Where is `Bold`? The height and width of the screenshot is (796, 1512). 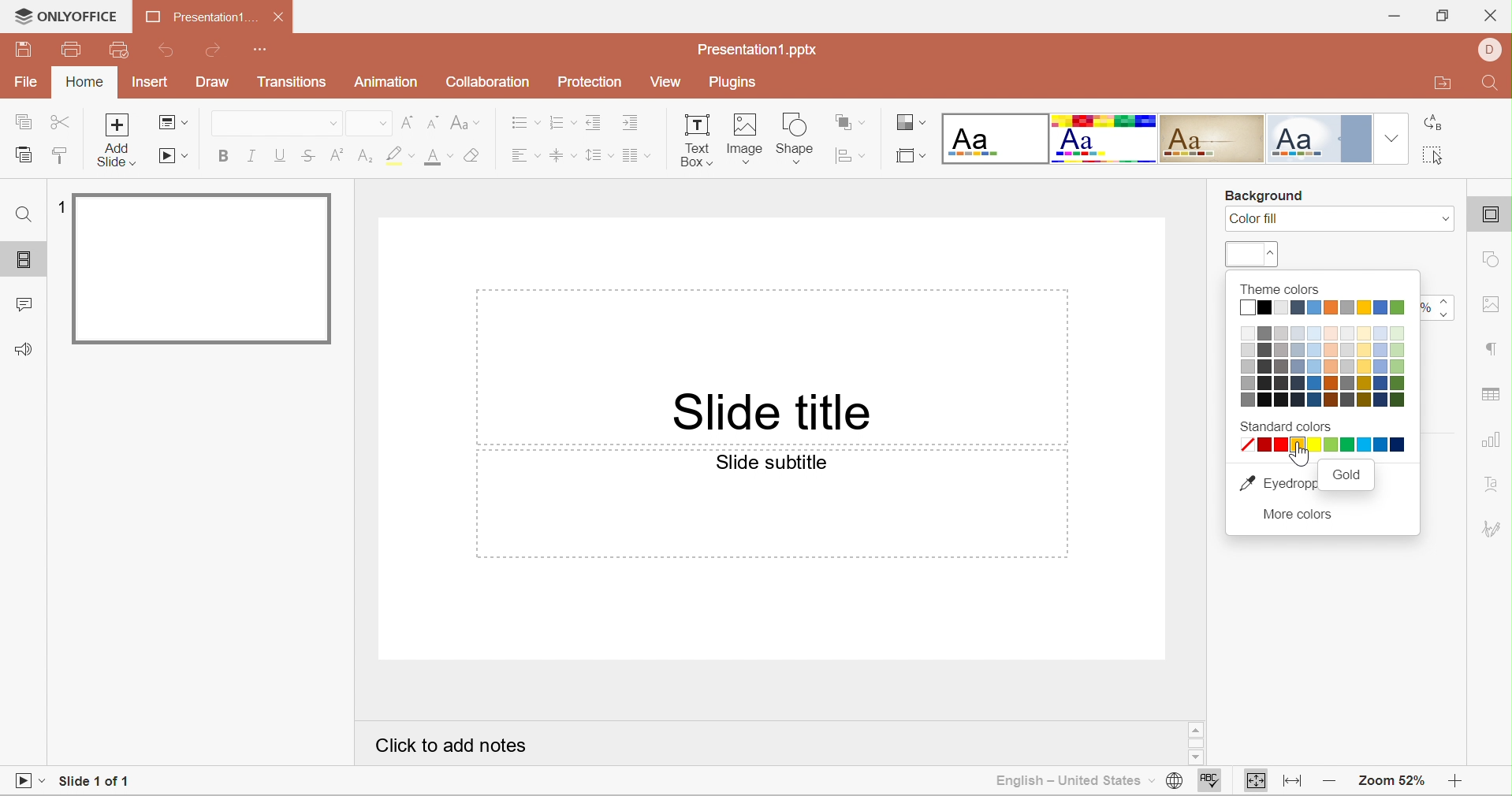
Bold is located at coordinates (226, 154).